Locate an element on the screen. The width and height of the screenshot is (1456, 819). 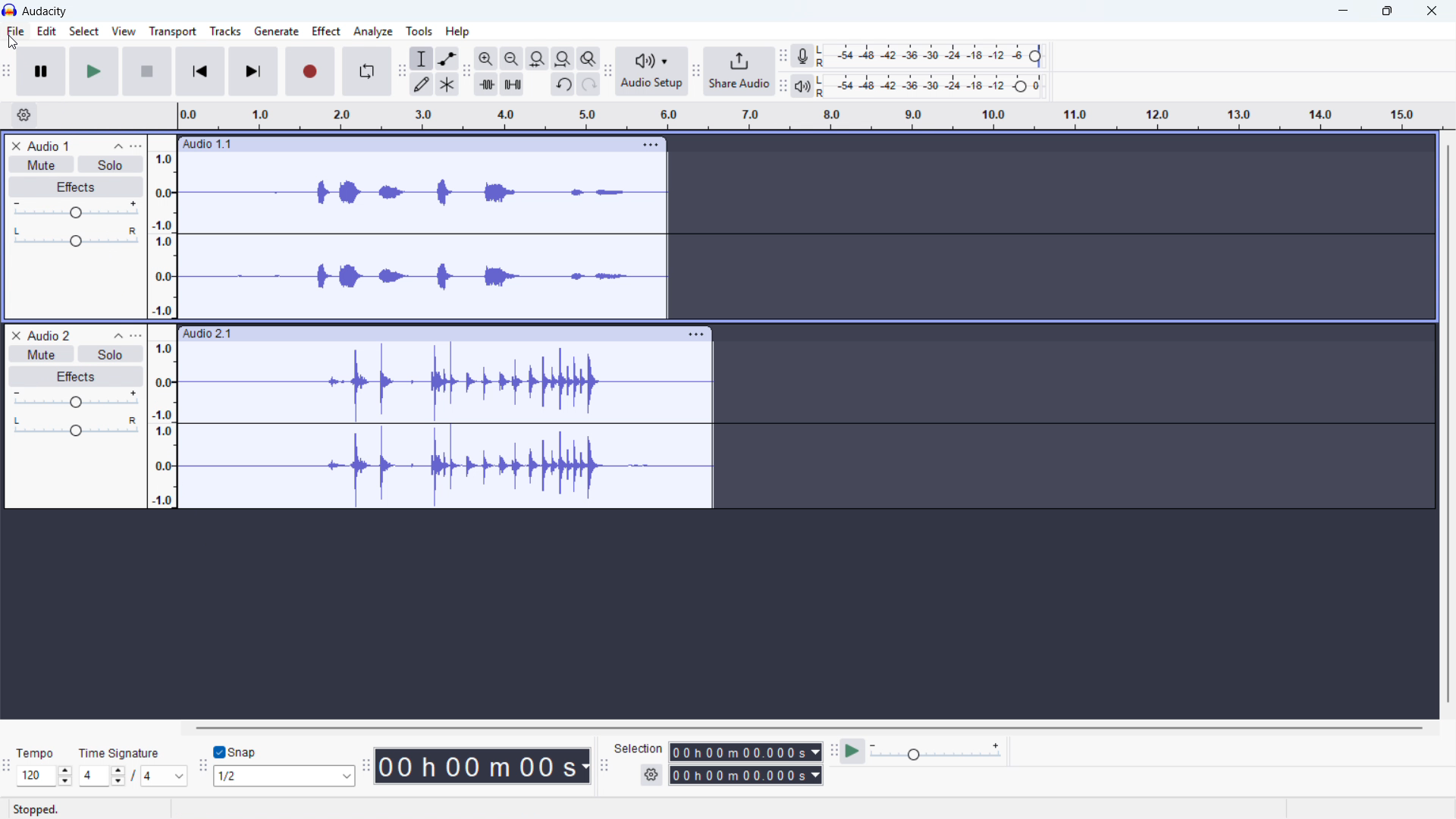
Solo  is located at coordinates (111, 353).